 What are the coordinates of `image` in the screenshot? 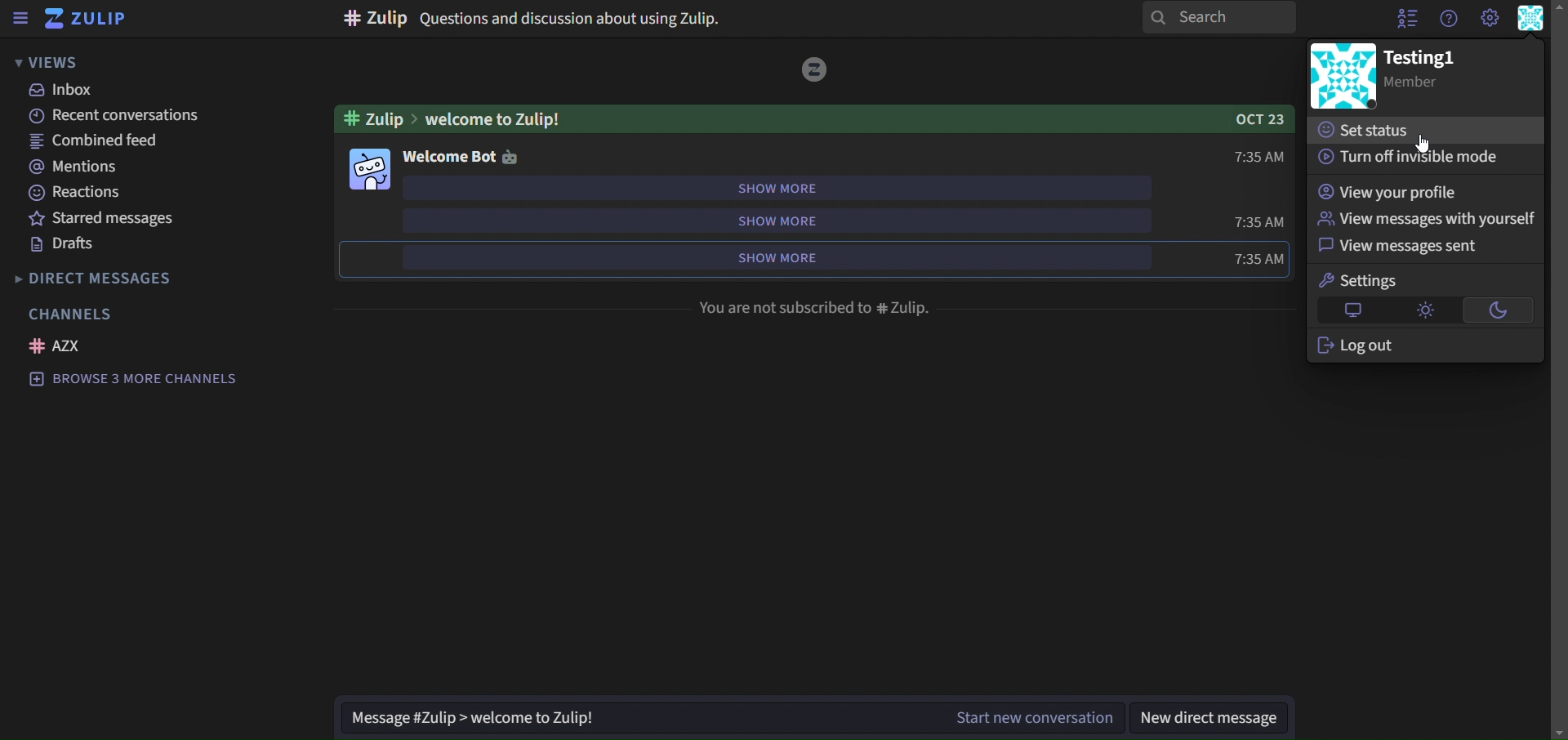 It's located at (367, 168).